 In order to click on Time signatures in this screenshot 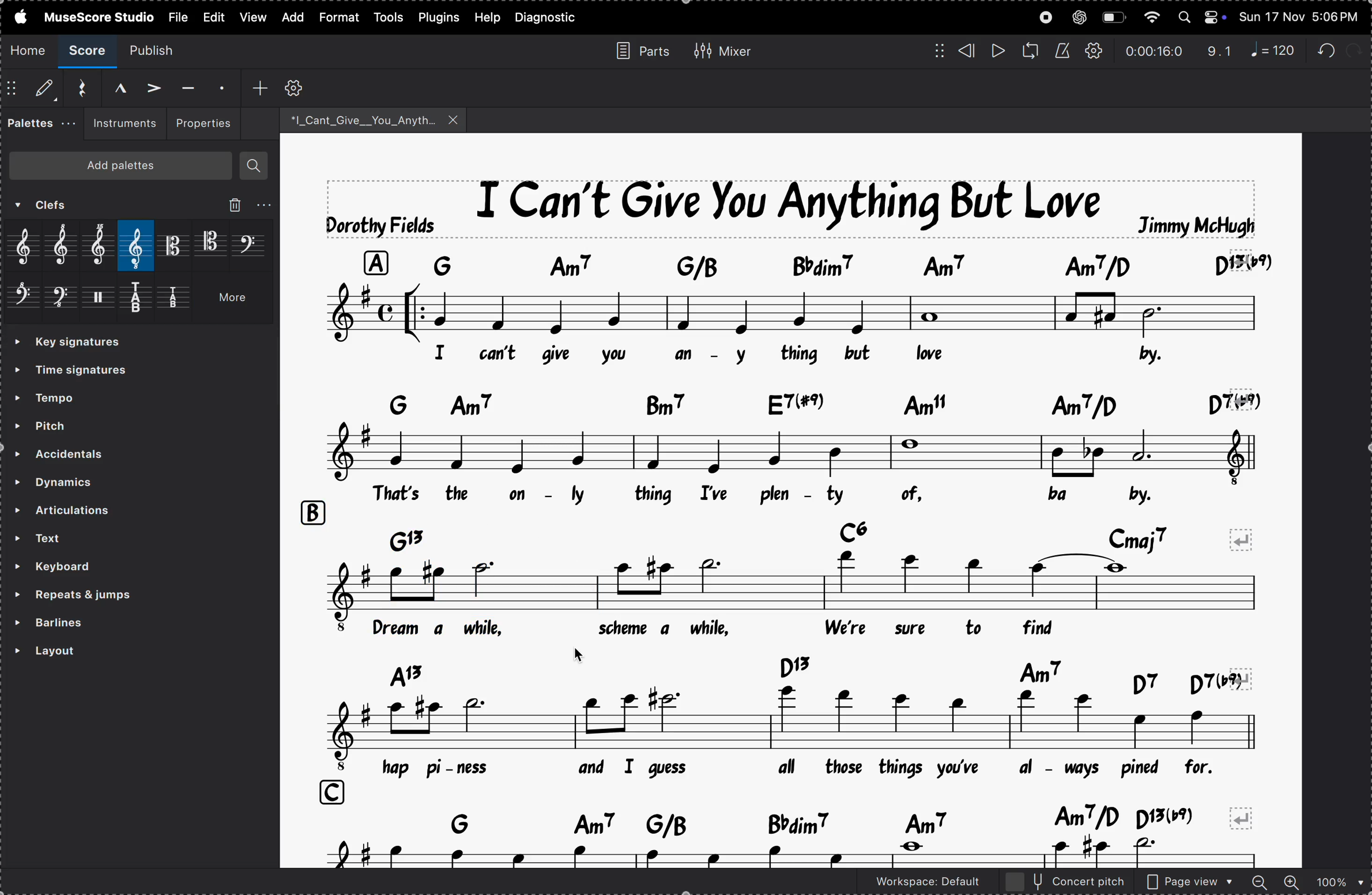, I will do `click(79, 373)`.